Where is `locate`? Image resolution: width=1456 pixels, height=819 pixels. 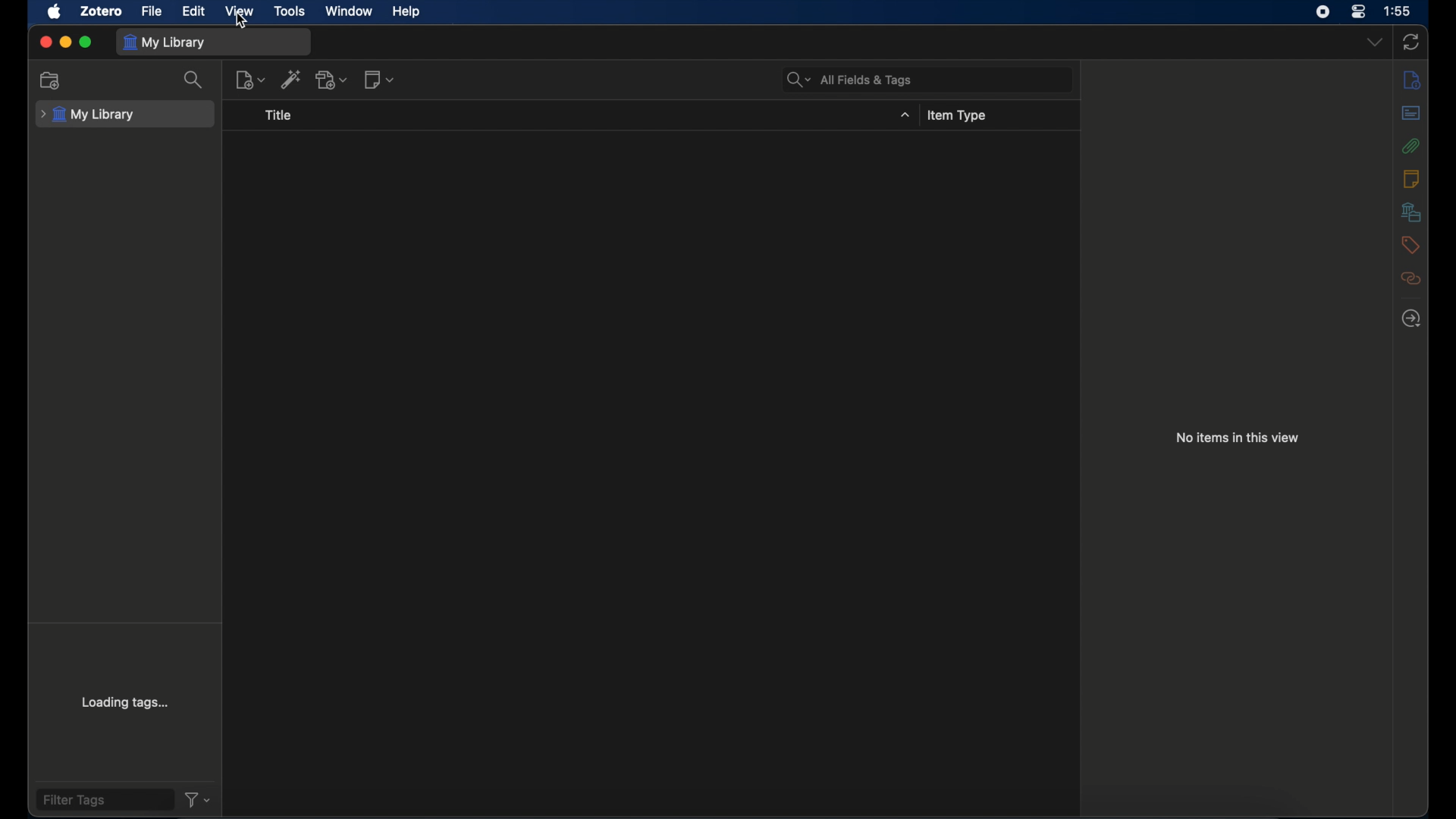
locate is located at coordinates (1414, 318).